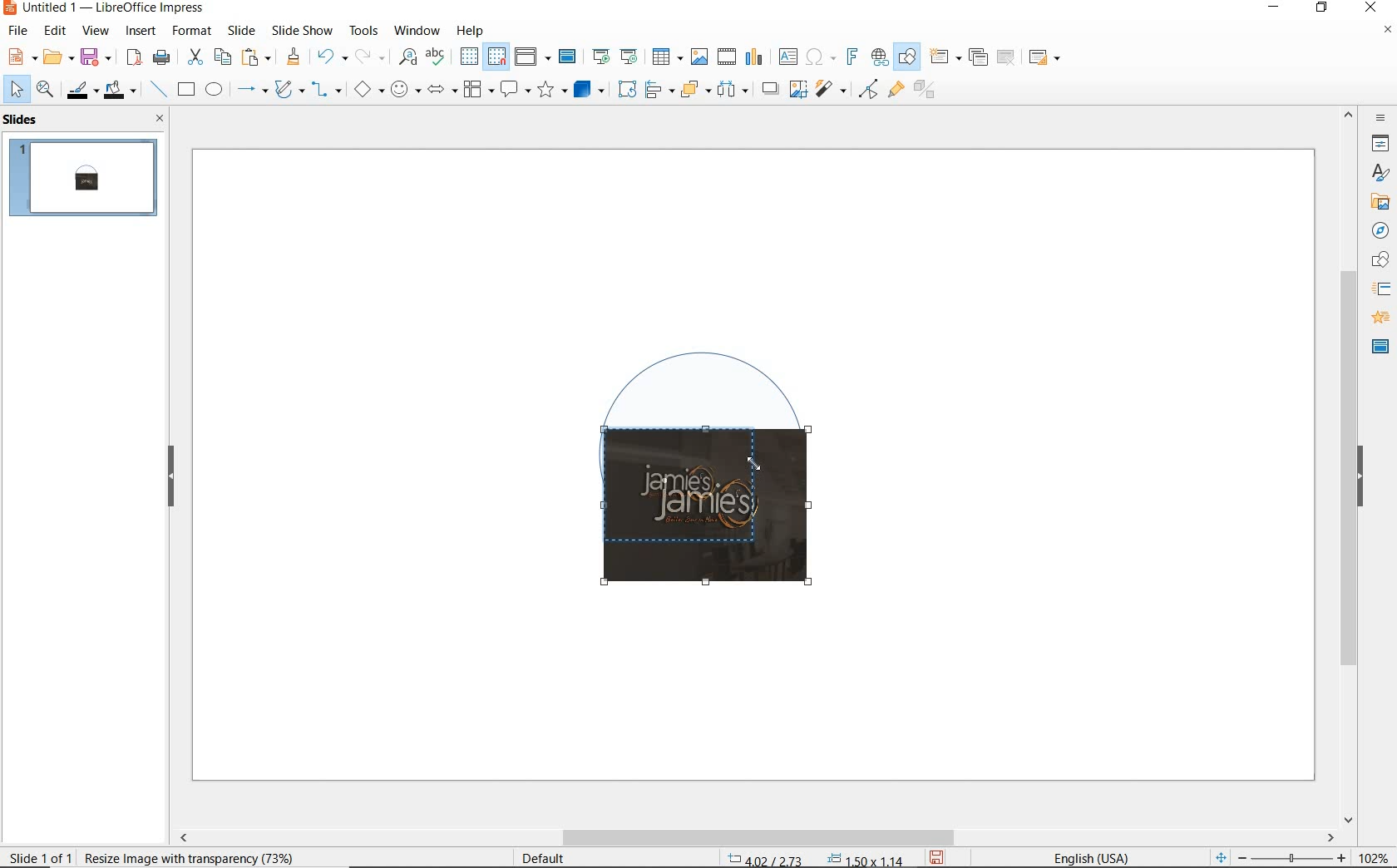 The width and height of the screenshot is (1397, 868). I want to click on close document, so click(1387, 33).